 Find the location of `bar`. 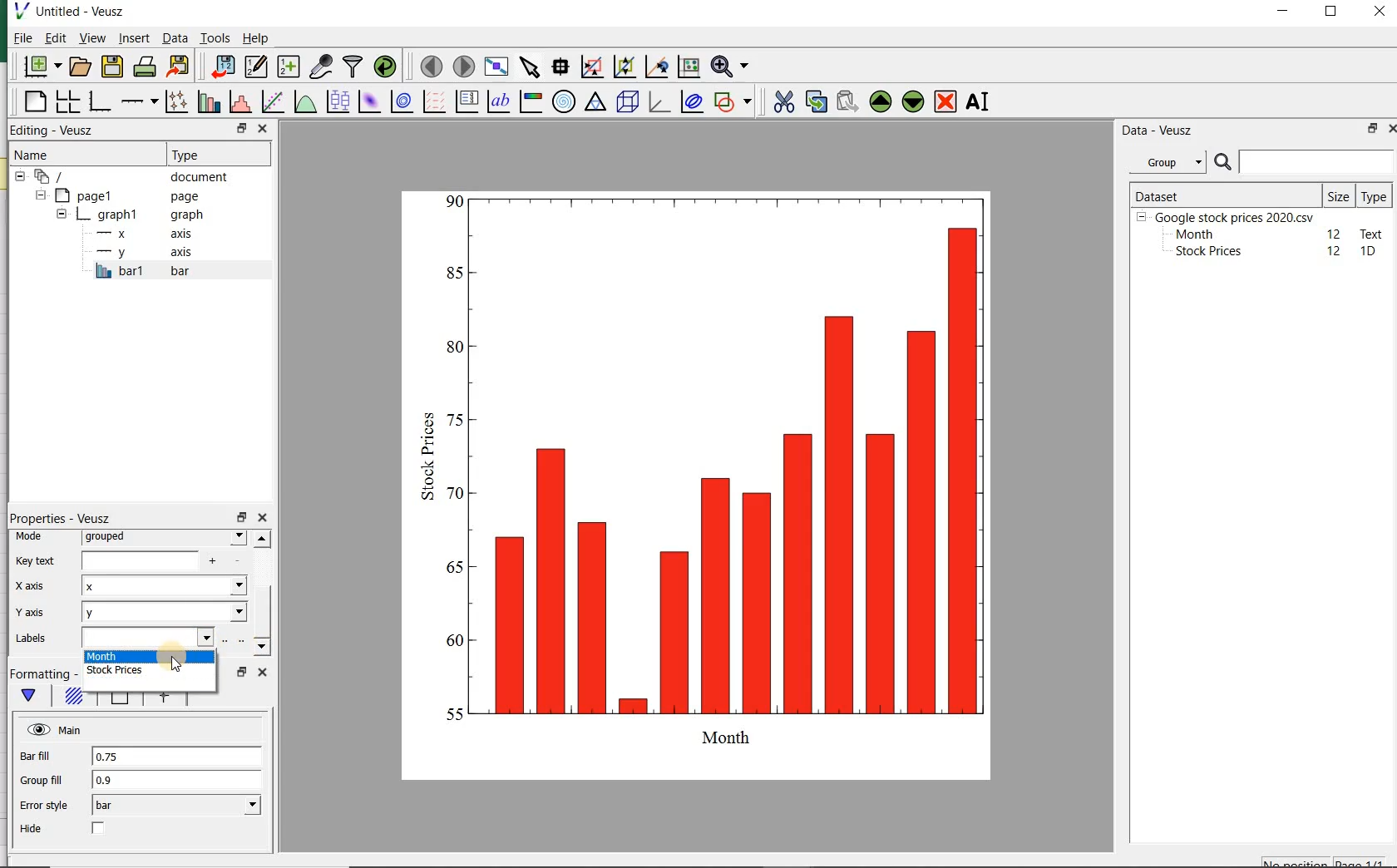

bar is located at coordinates (175, 806).